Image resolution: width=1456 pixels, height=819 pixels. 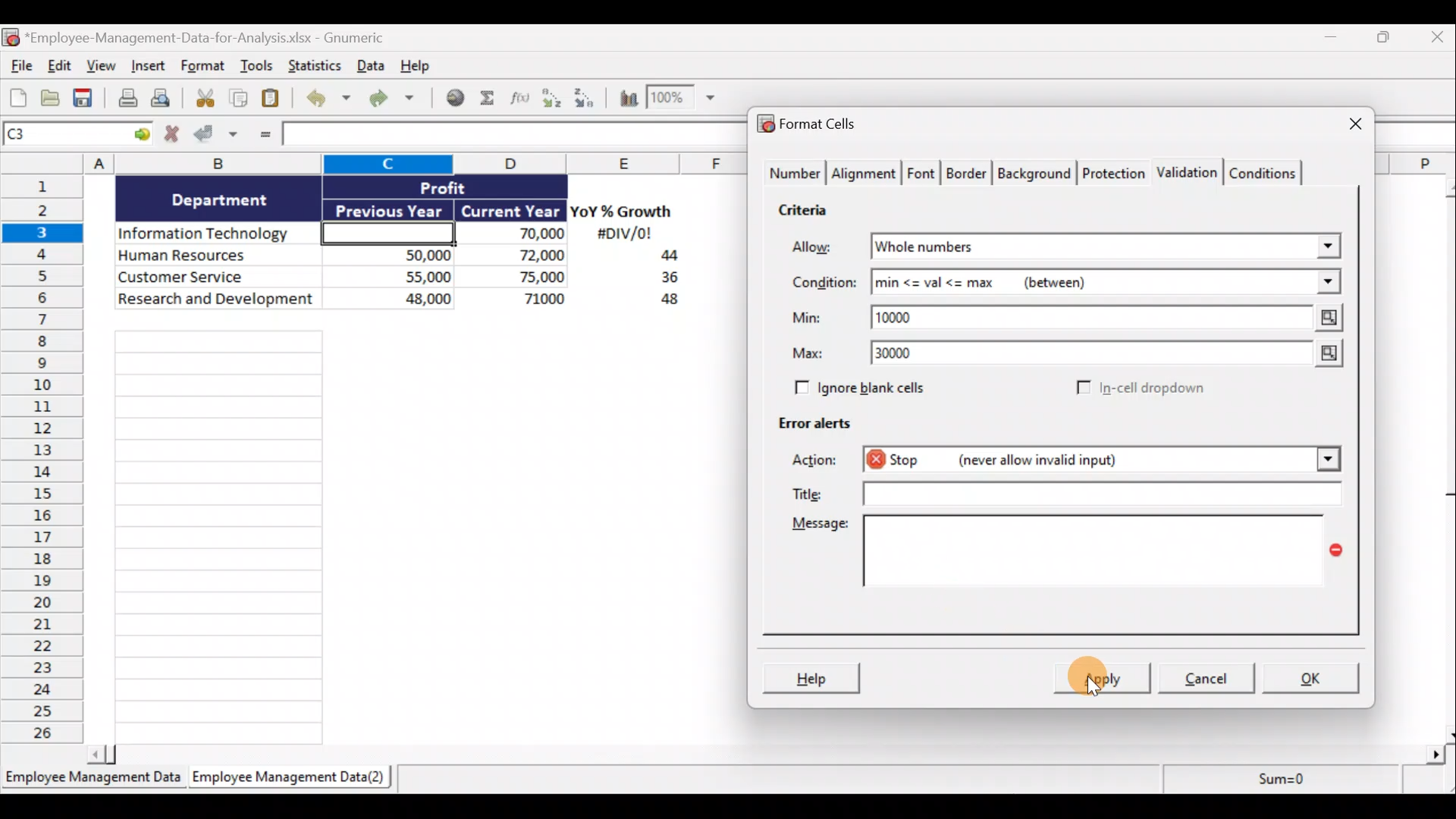 I want to click on Number, so click(x=793, y=174).